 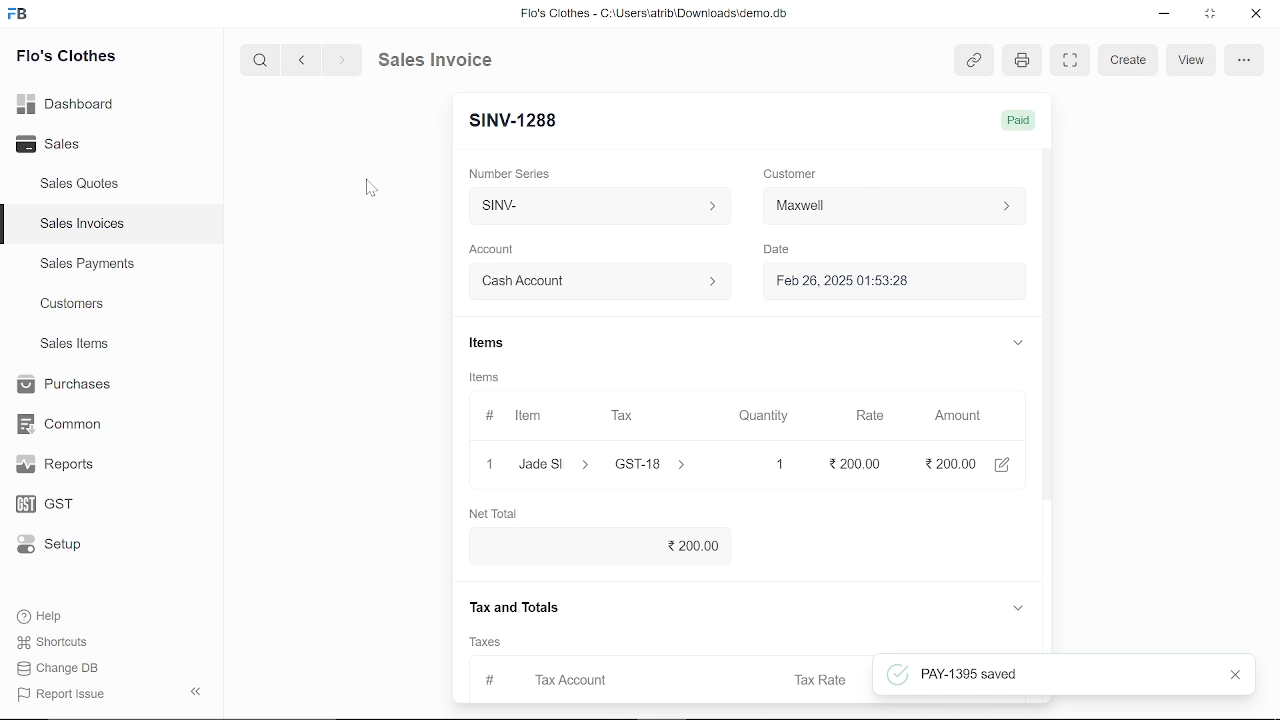 I want to click on Number Series, so click(x=512, y=173).